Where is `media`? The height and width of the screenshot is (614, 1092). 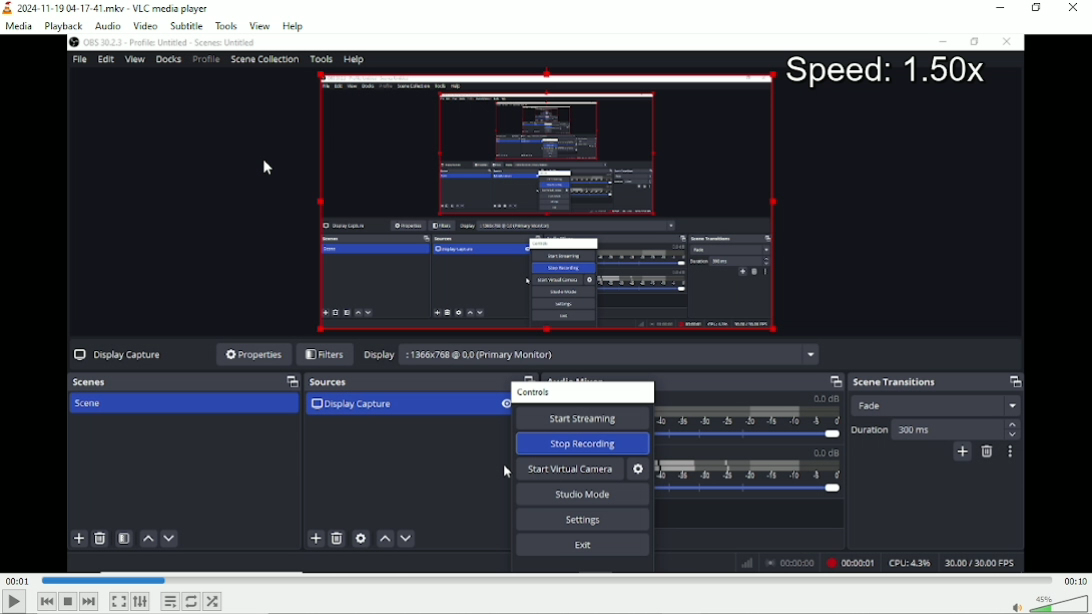
media is located at coordinates (19, 26).